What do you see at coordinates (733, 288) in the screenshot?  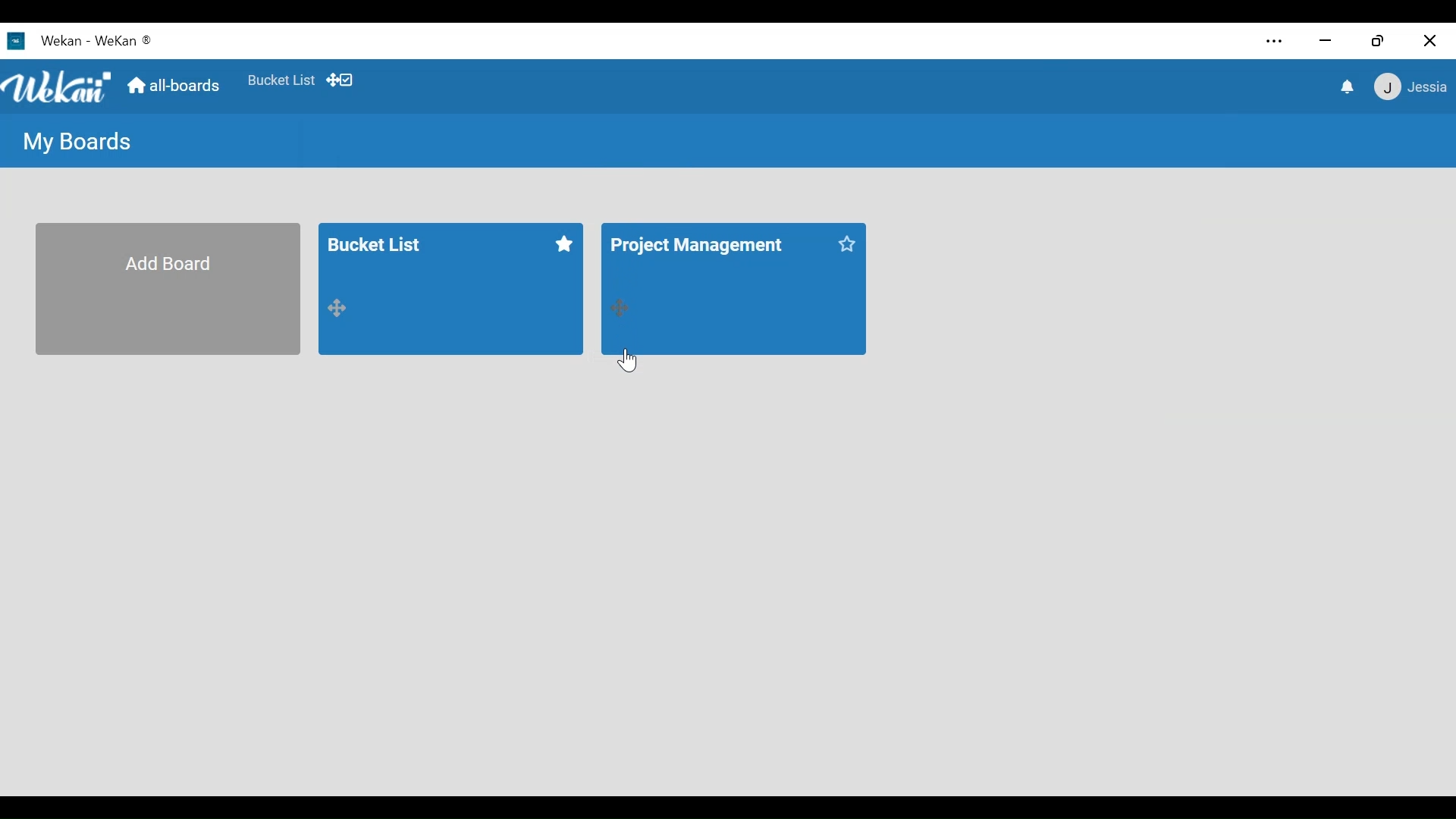 I see `board 2` at bounding box center [733, 288].